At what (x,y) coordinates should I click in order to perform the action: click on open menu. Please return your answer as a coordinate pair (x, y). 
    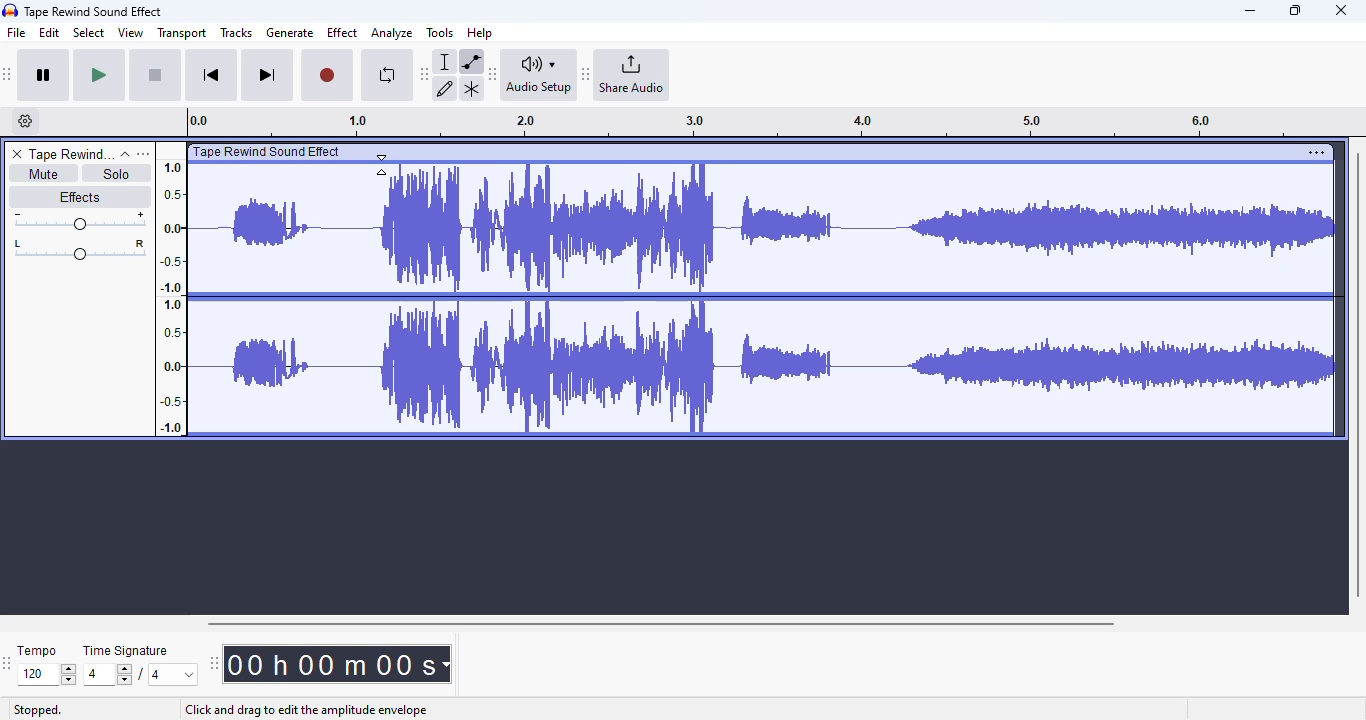
    Looking at the image, I should click on (143, 153).